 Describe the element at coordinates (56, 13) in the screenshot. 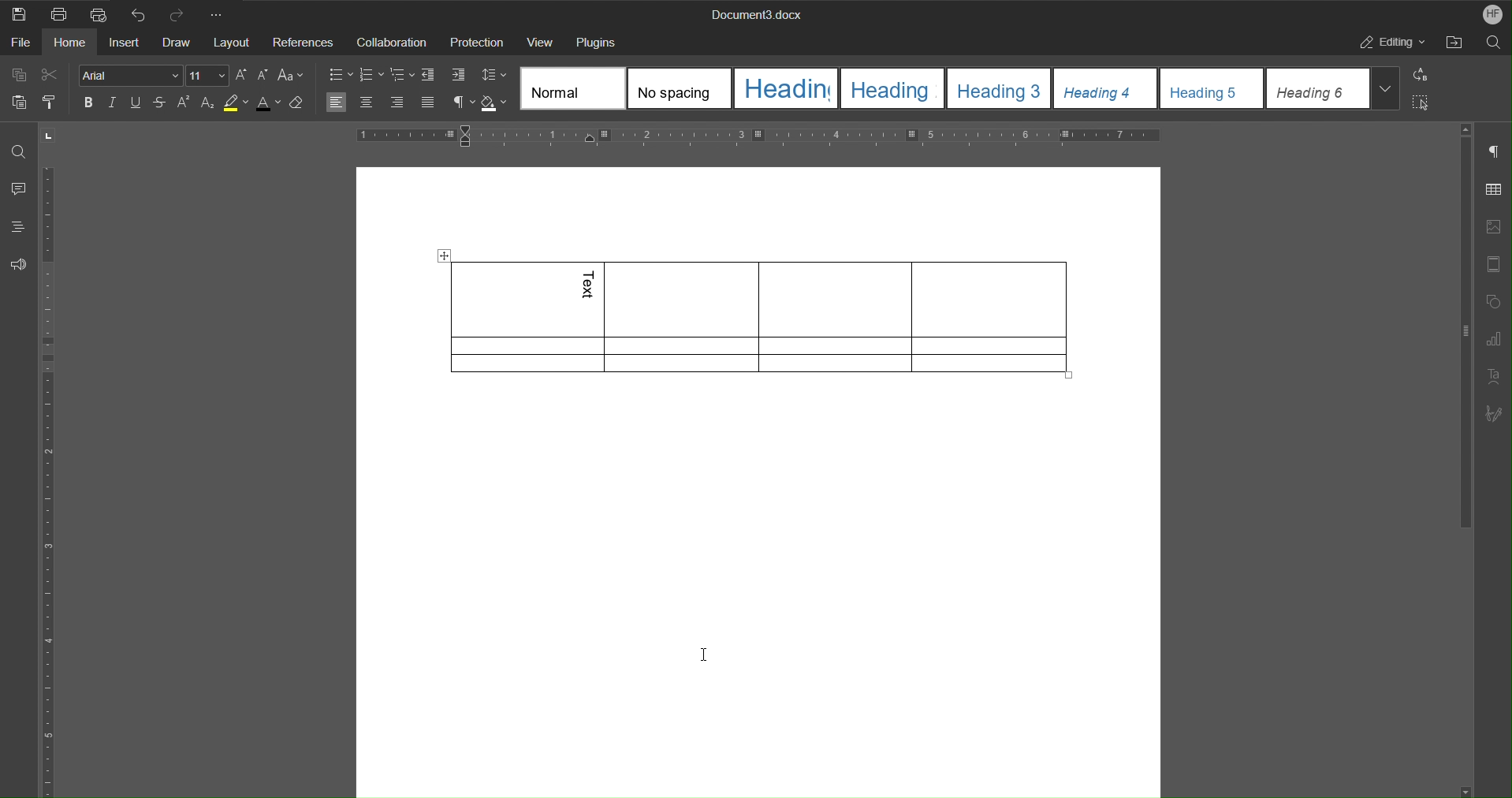

I see `Print` at that location.